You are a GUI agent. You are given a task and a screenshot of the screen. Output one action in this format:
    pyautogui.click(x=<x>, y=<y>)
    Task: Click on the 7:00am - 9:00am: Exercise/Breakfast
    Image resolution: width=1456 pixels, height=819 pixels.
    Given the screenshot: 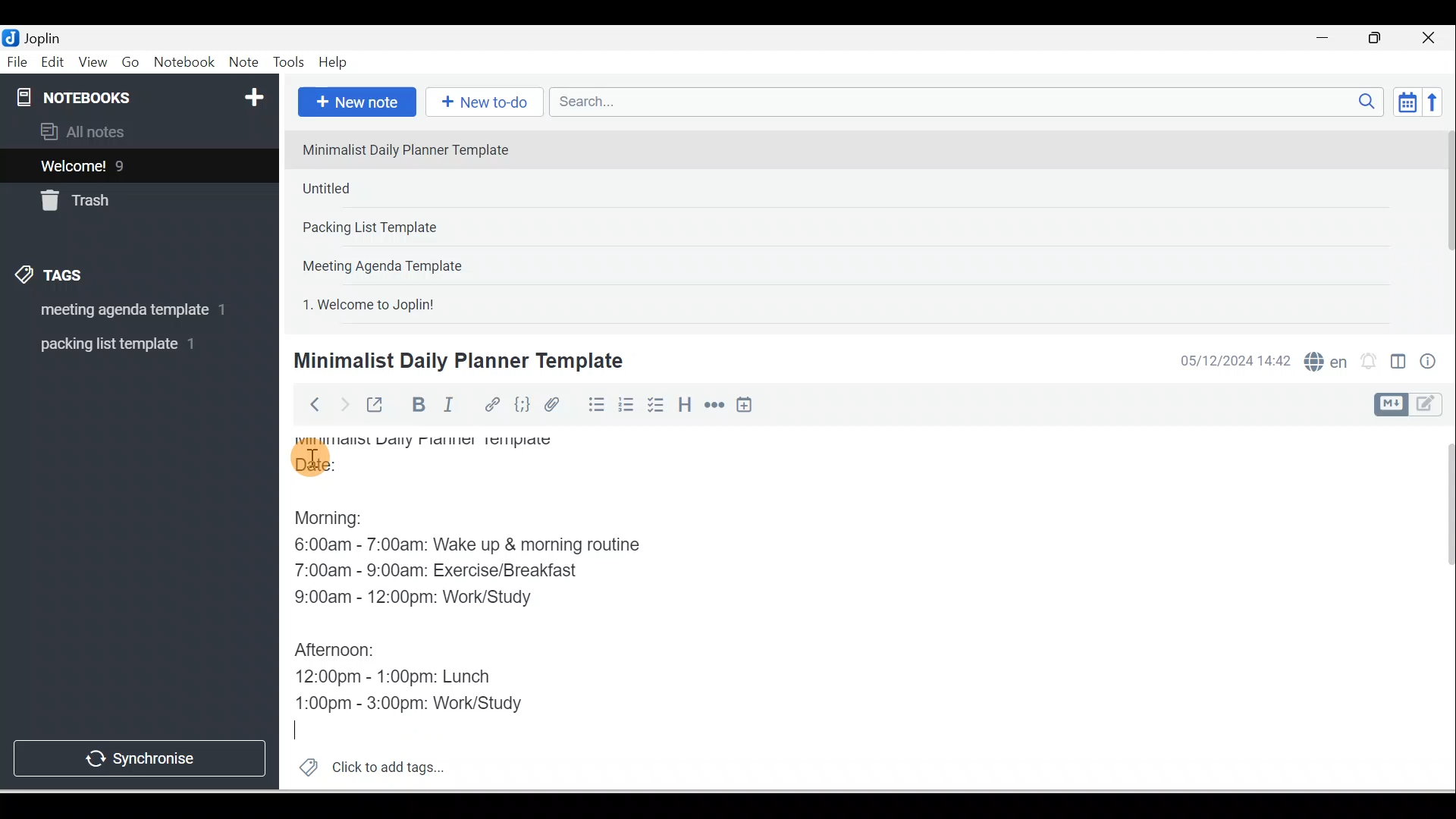 What is the action you would take?
    pyautogui.click(x=450, y=571)
    